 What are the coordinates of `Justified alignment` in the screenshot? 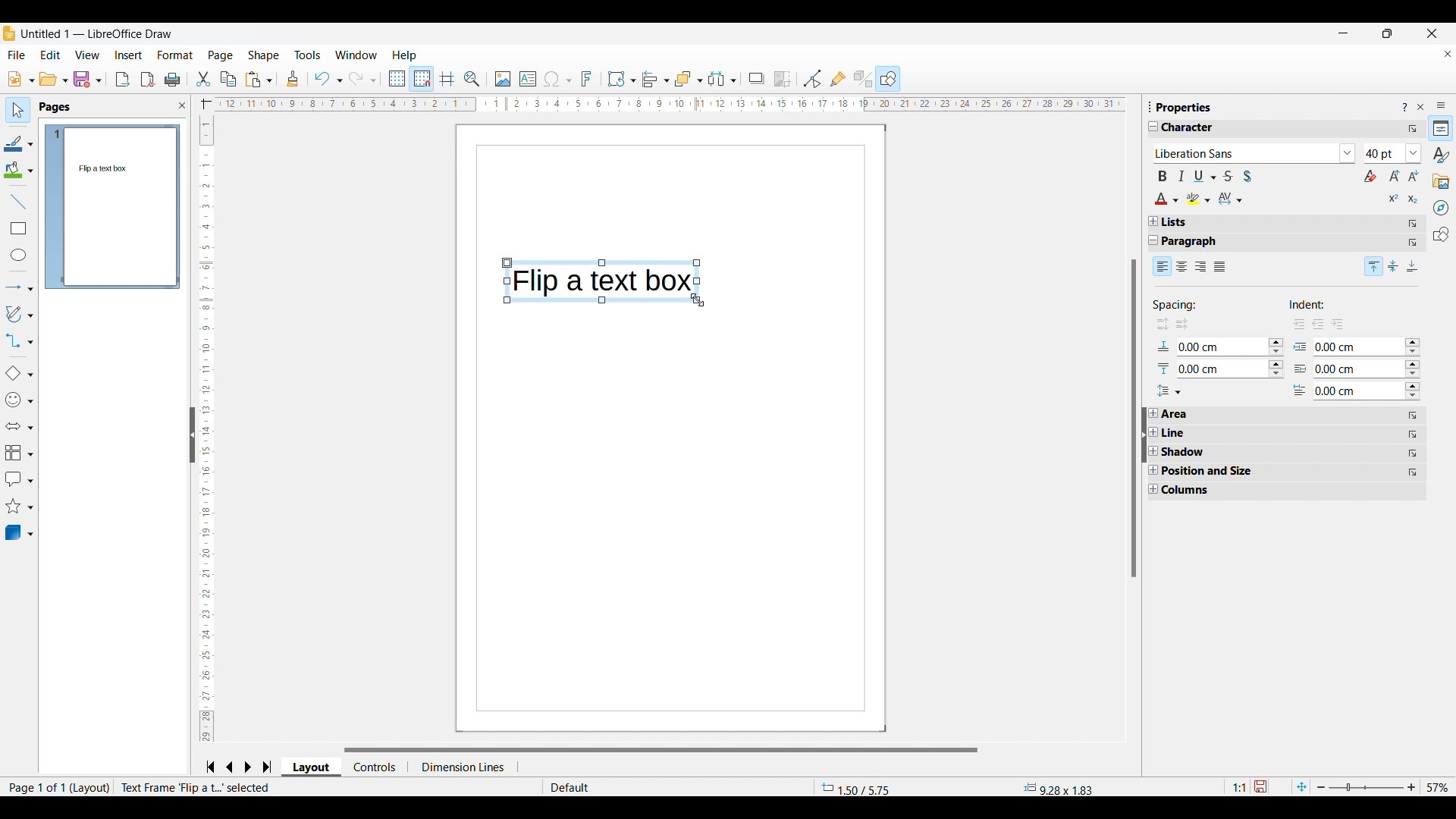 It's located at (1220, 267).